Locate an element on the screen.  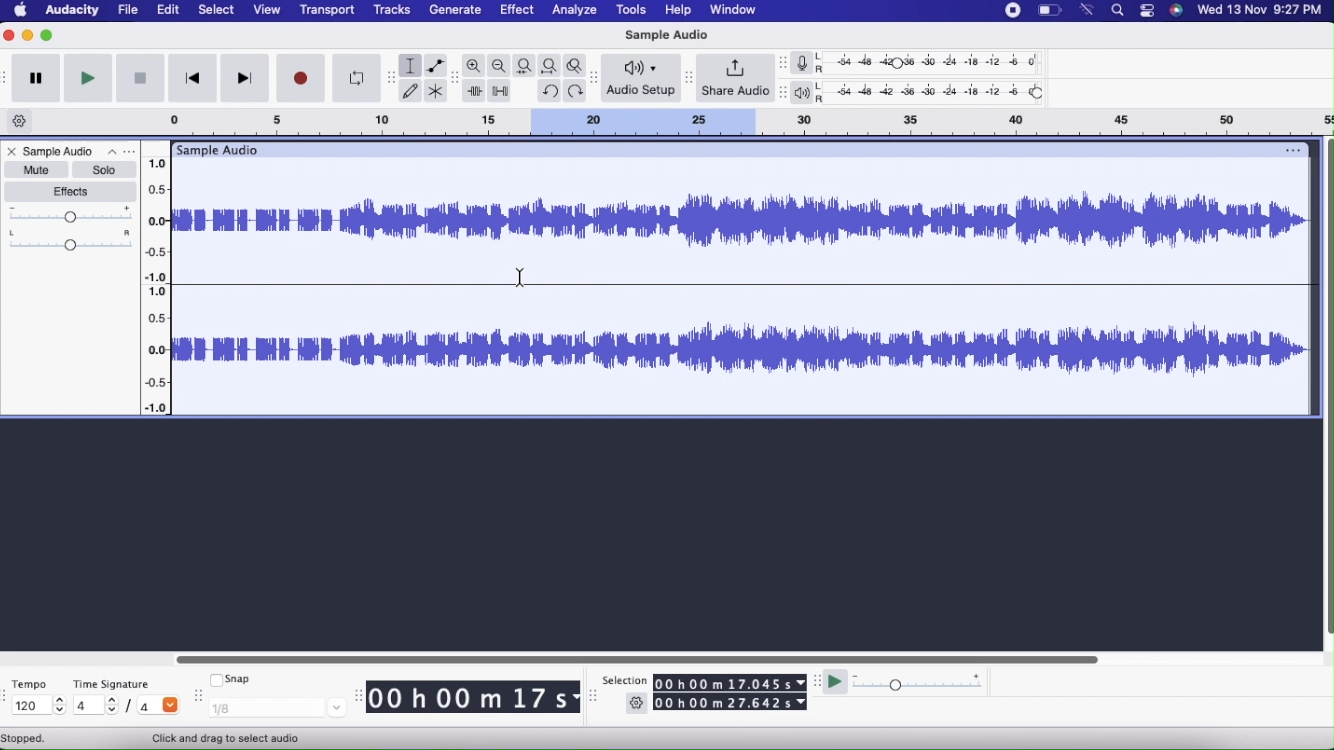
/ is located at coordinates (132, 709).